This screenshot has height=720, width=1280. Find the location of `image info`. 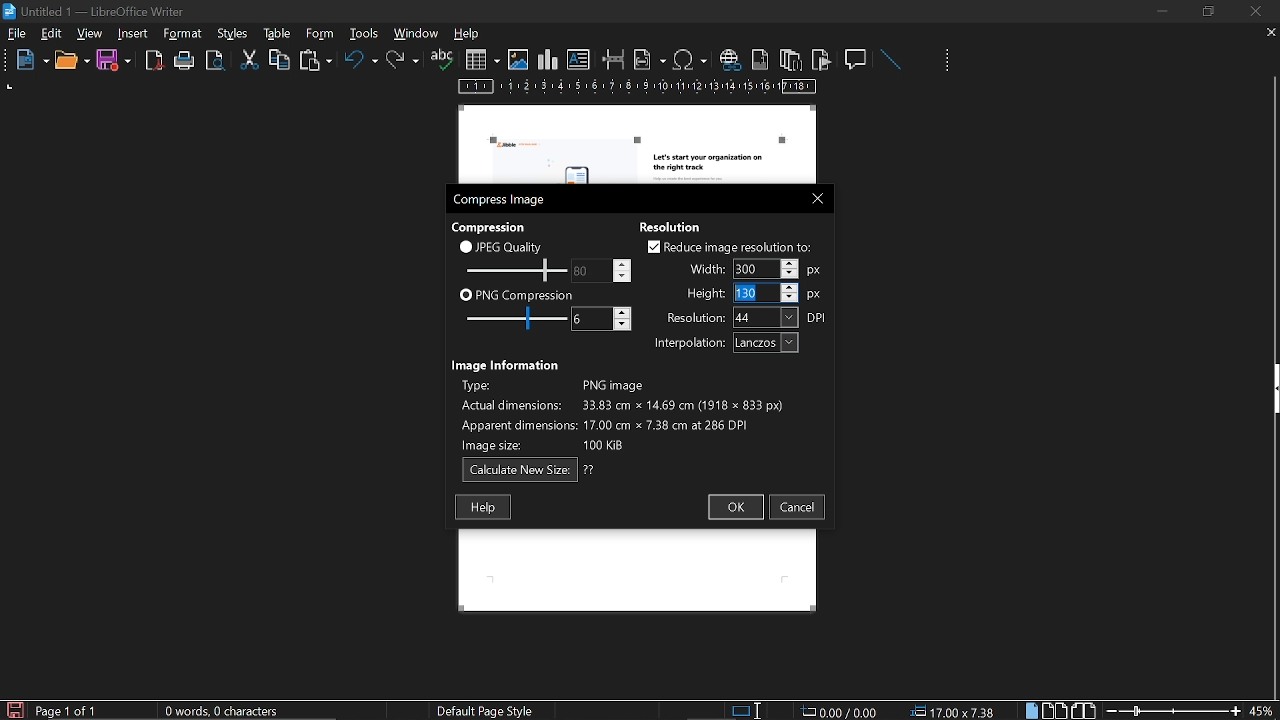

image info is located at coordinates (622, 412).